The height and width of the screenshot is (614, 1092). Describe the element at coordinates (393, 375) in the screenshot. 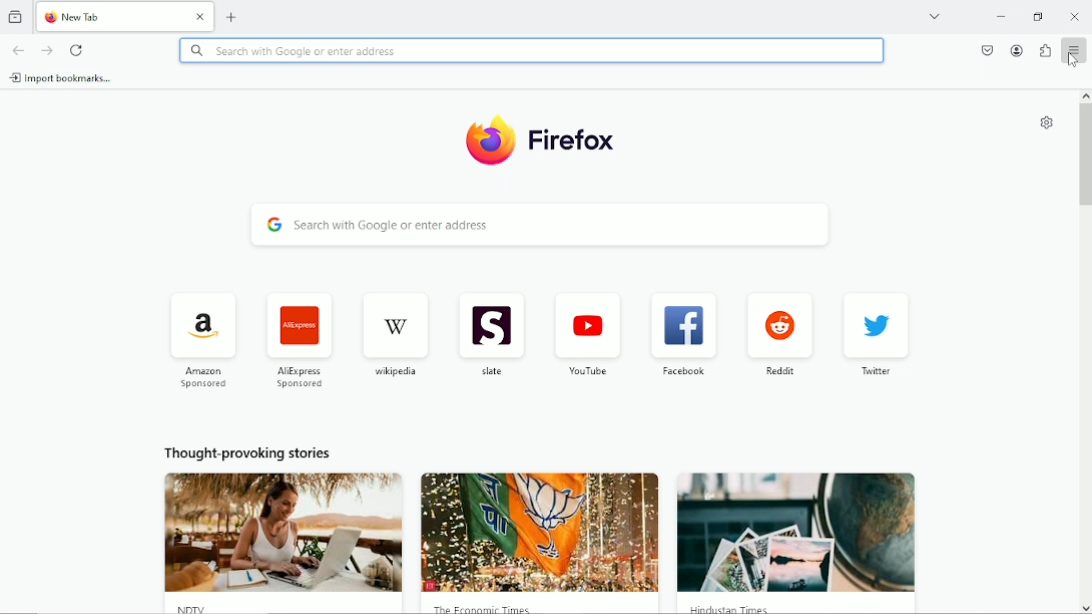

I see `wikipedia` at that location.